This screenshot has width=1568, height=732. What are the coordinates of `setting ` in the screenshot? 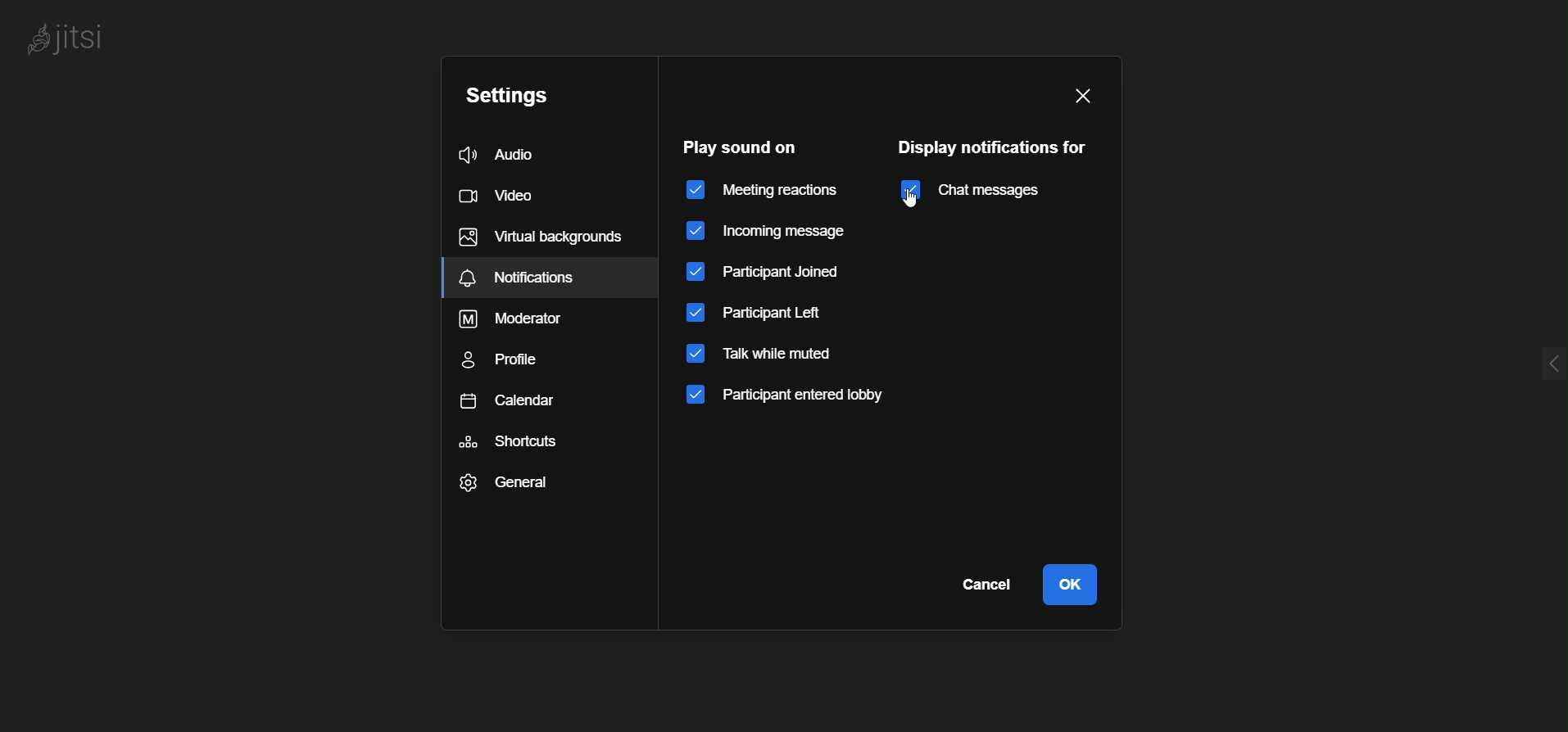 It's located at (511, 94).